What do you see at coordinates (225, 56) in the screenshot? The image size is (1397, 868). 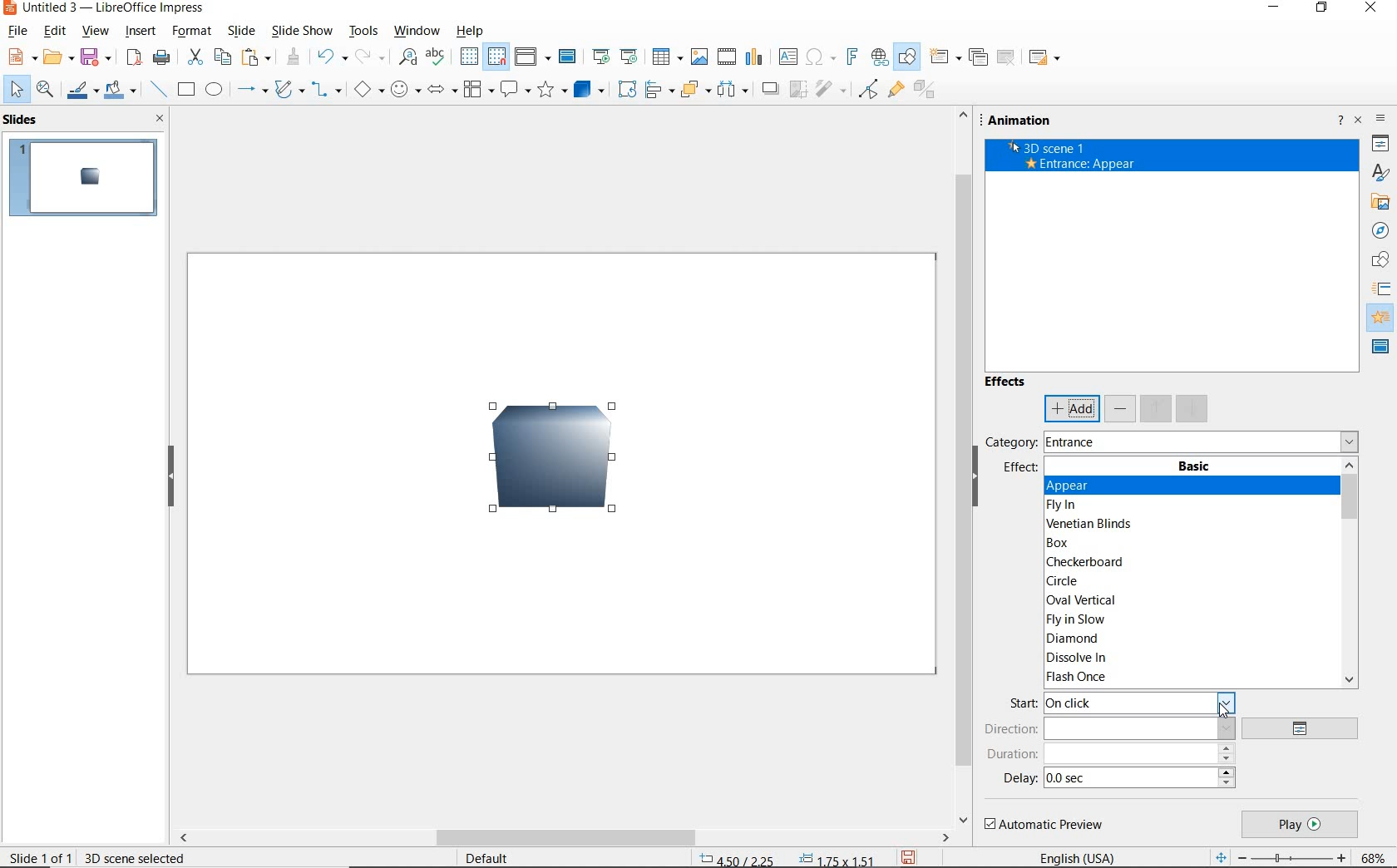 I see `copy` at bounding box center [225, 56].